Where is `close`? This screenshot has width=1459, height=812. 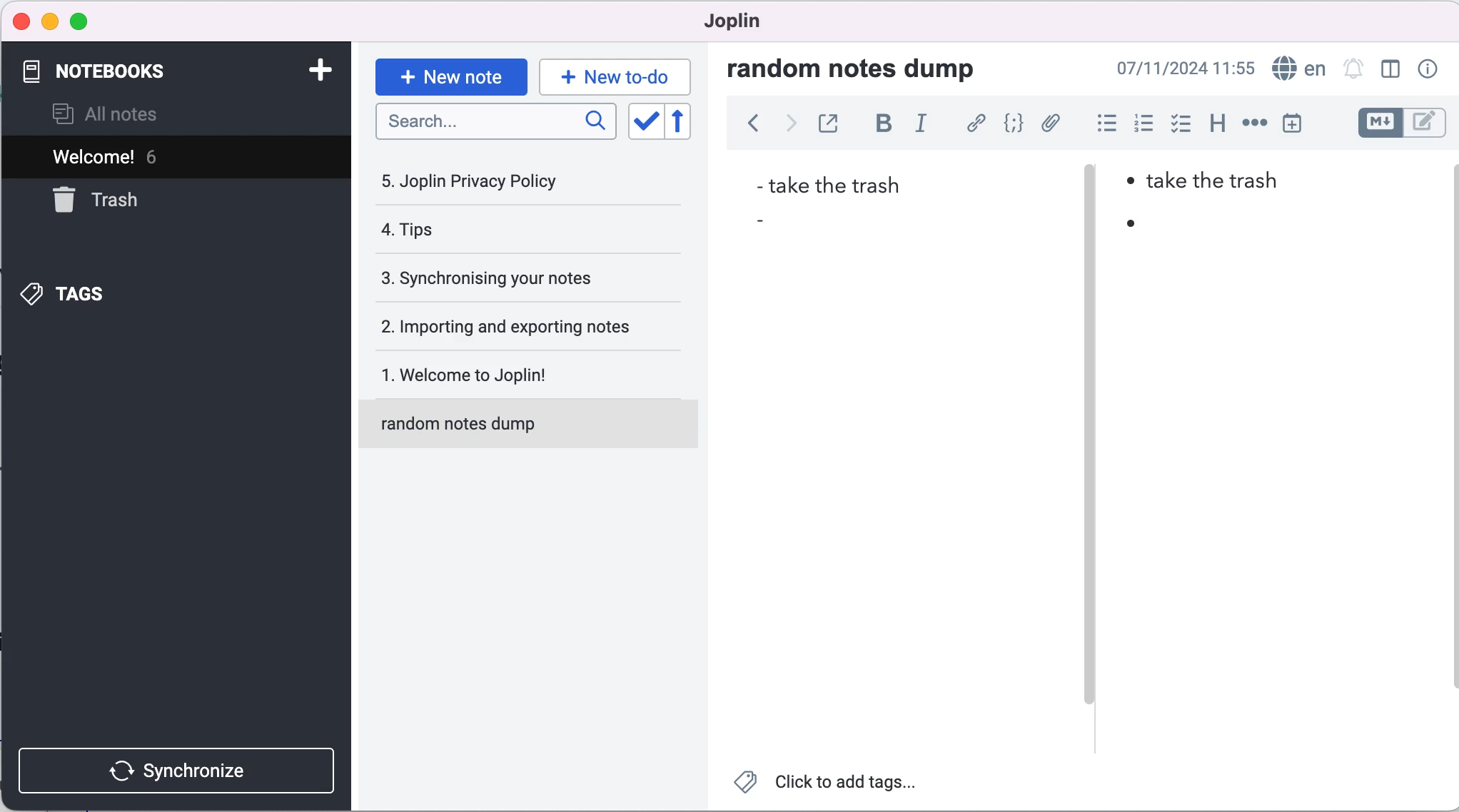 close is located at coordinates (20, 21).